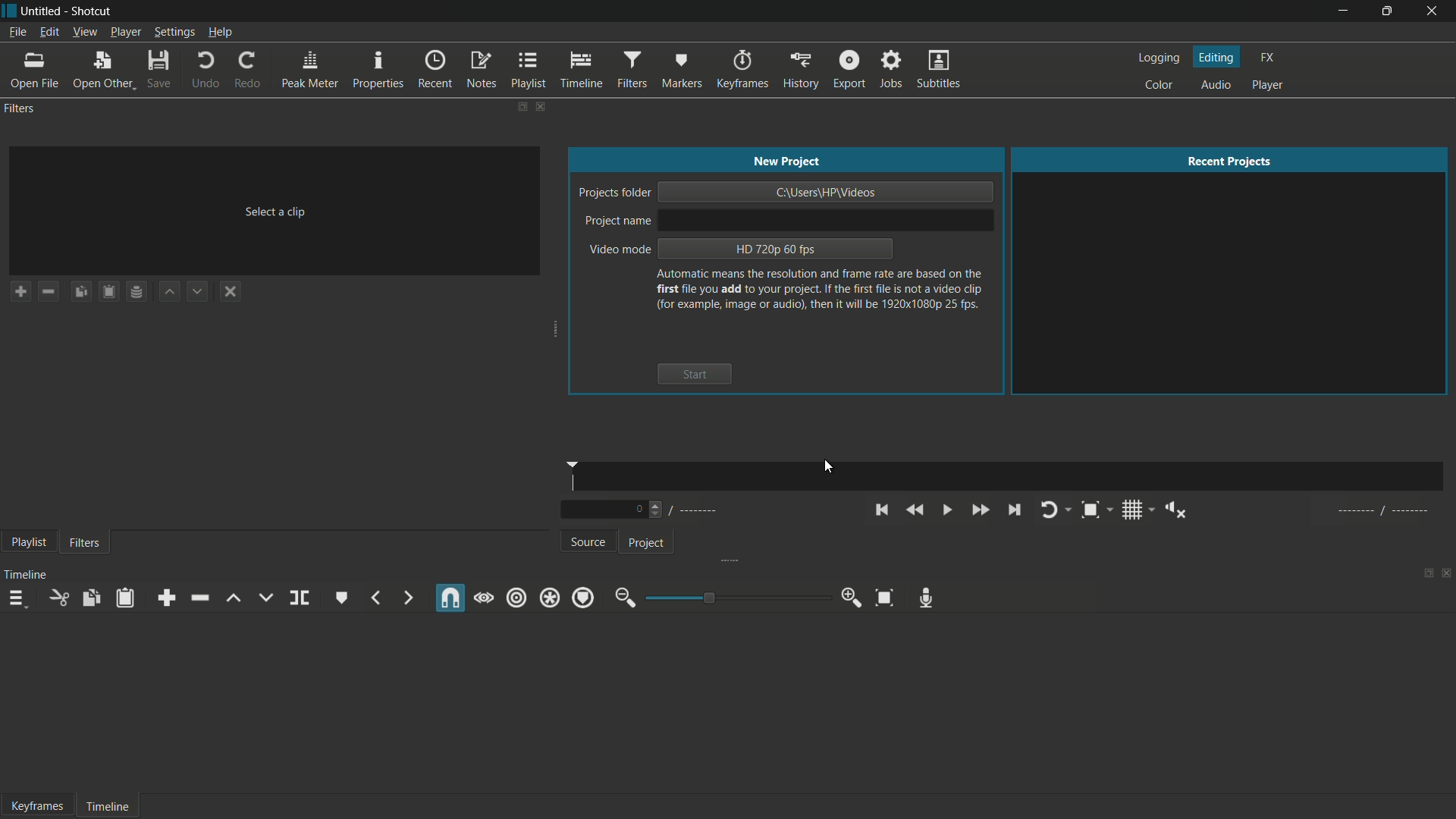  Describe the element at coordinates (110, 291) in the screenshot. I see `paste filters` at that location.